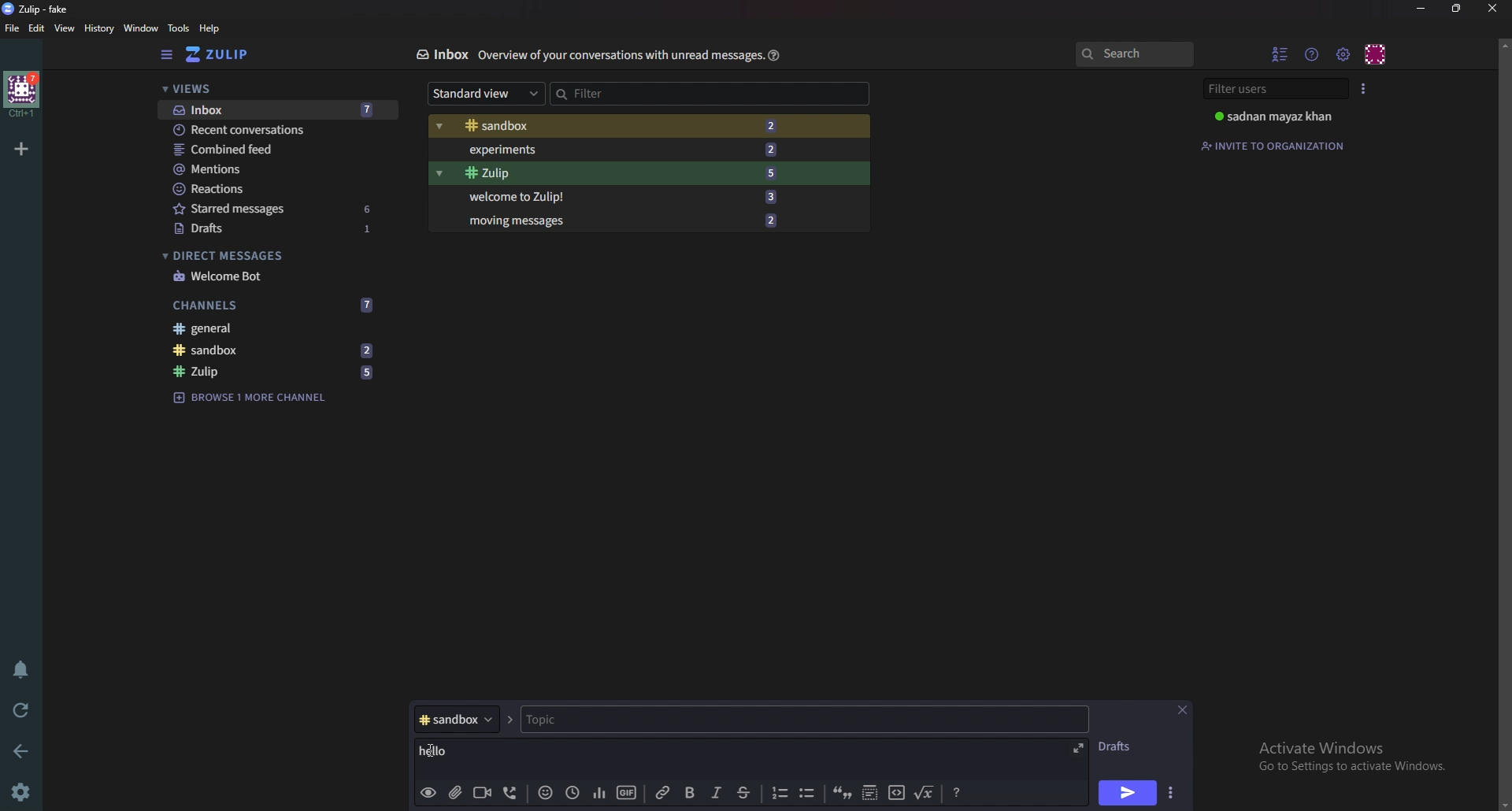 The image size is (1512, 811). Describe the element at coordinates (243, 209) in the screenshot. I see `starred messages` at that location.